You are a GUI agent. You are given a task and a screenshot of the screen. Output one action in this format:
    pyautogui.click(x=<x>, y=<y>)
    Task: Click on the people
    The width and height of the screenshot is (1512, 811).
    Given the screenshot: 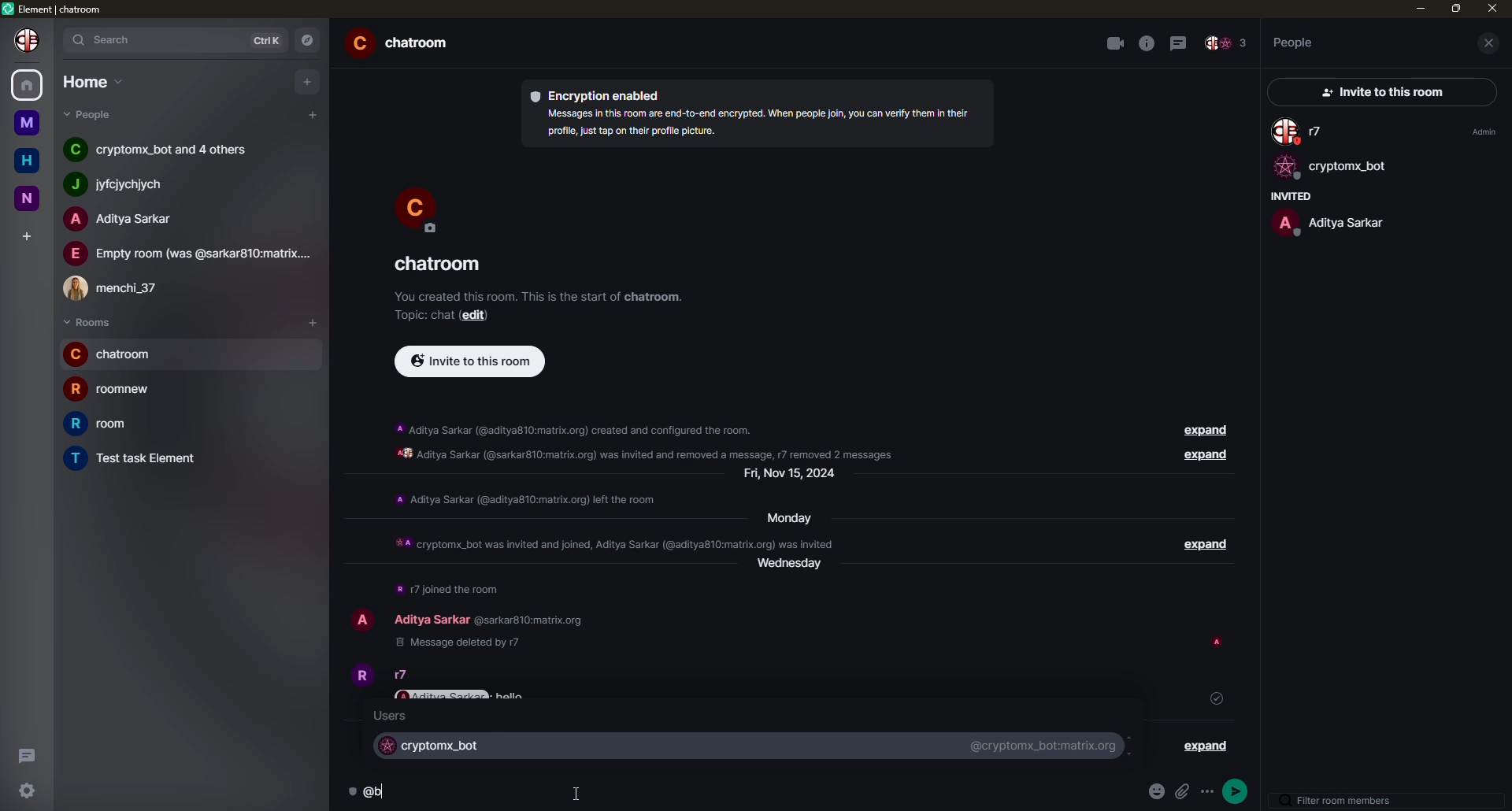 What is the action you would take?
    pyautogui.click(x=124, y=184)
    